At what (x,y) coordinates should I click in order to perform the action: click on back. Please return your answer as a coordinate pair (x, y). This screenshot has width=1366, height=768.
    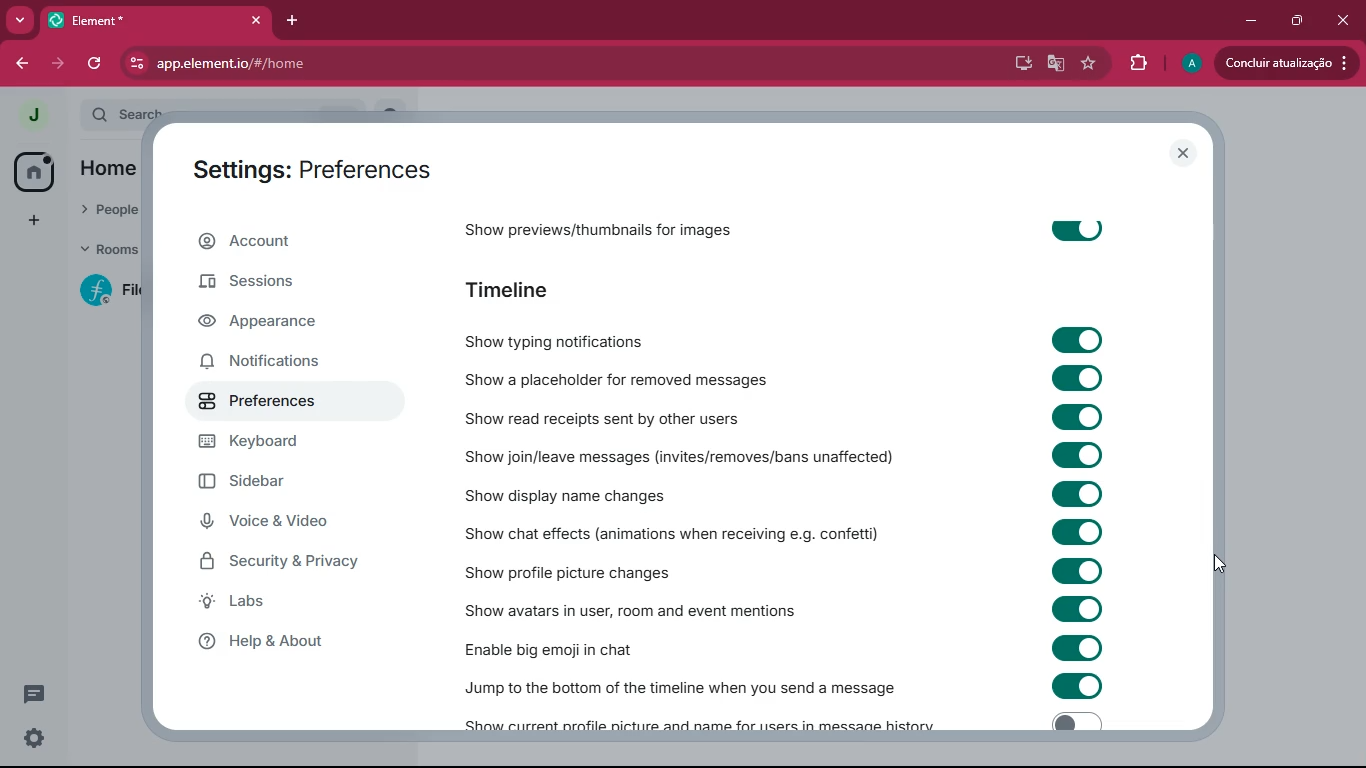
    Looking at the image, I should click on (19, 63).